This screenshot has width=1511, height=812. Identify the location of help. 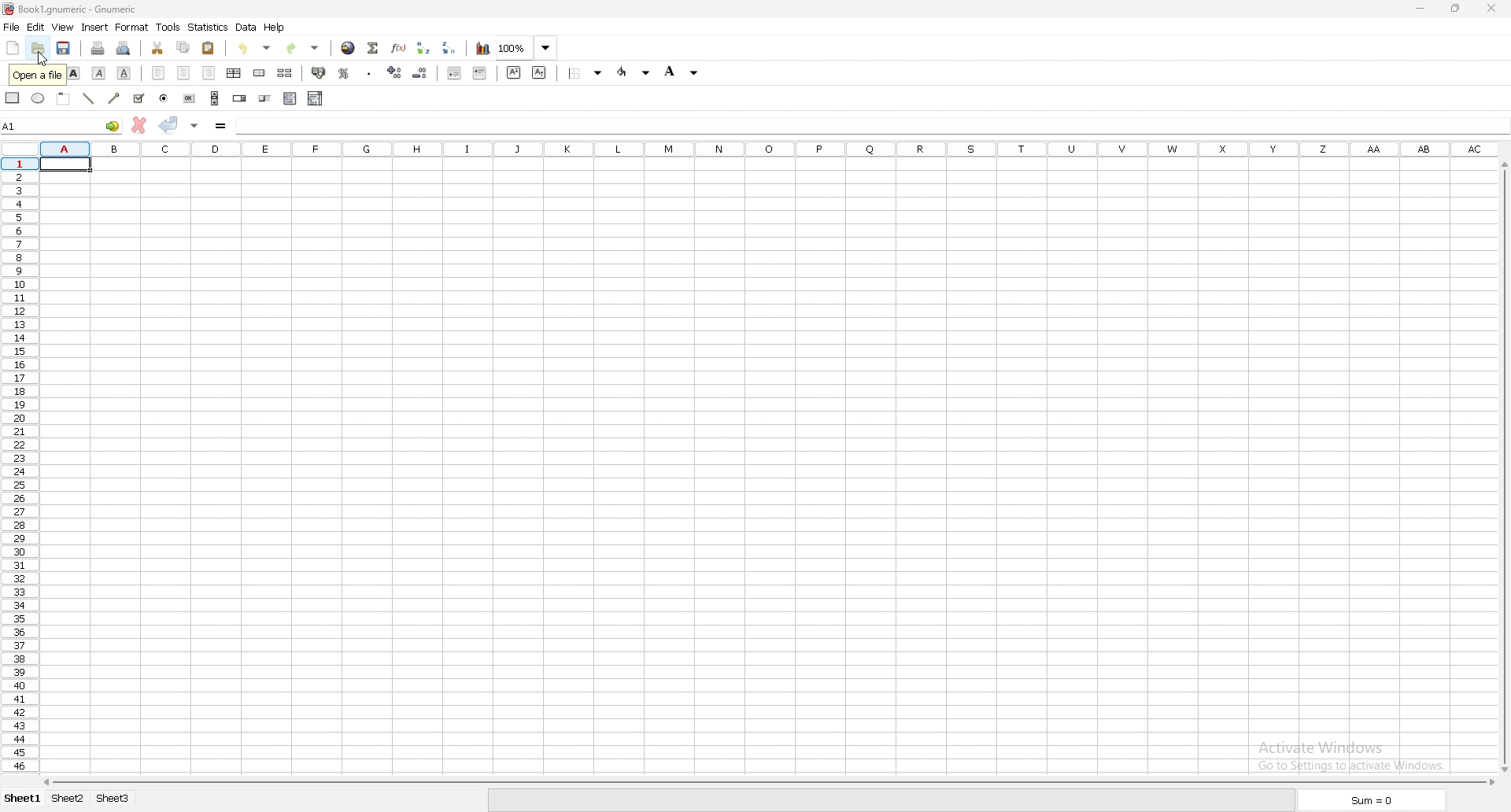
(276, 27).